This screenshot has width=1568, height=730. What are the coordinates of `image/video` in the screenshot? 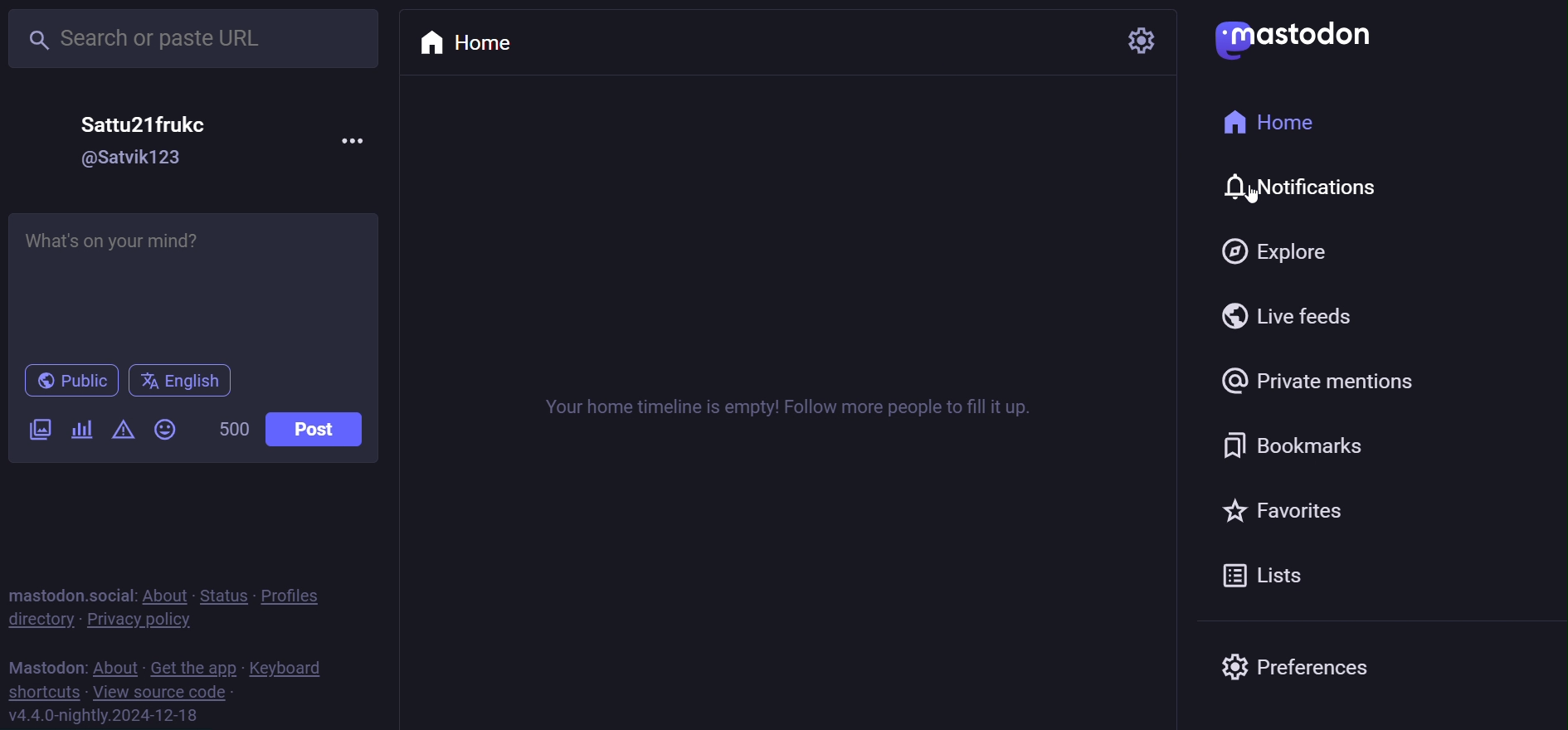 It's located at (38, 431).